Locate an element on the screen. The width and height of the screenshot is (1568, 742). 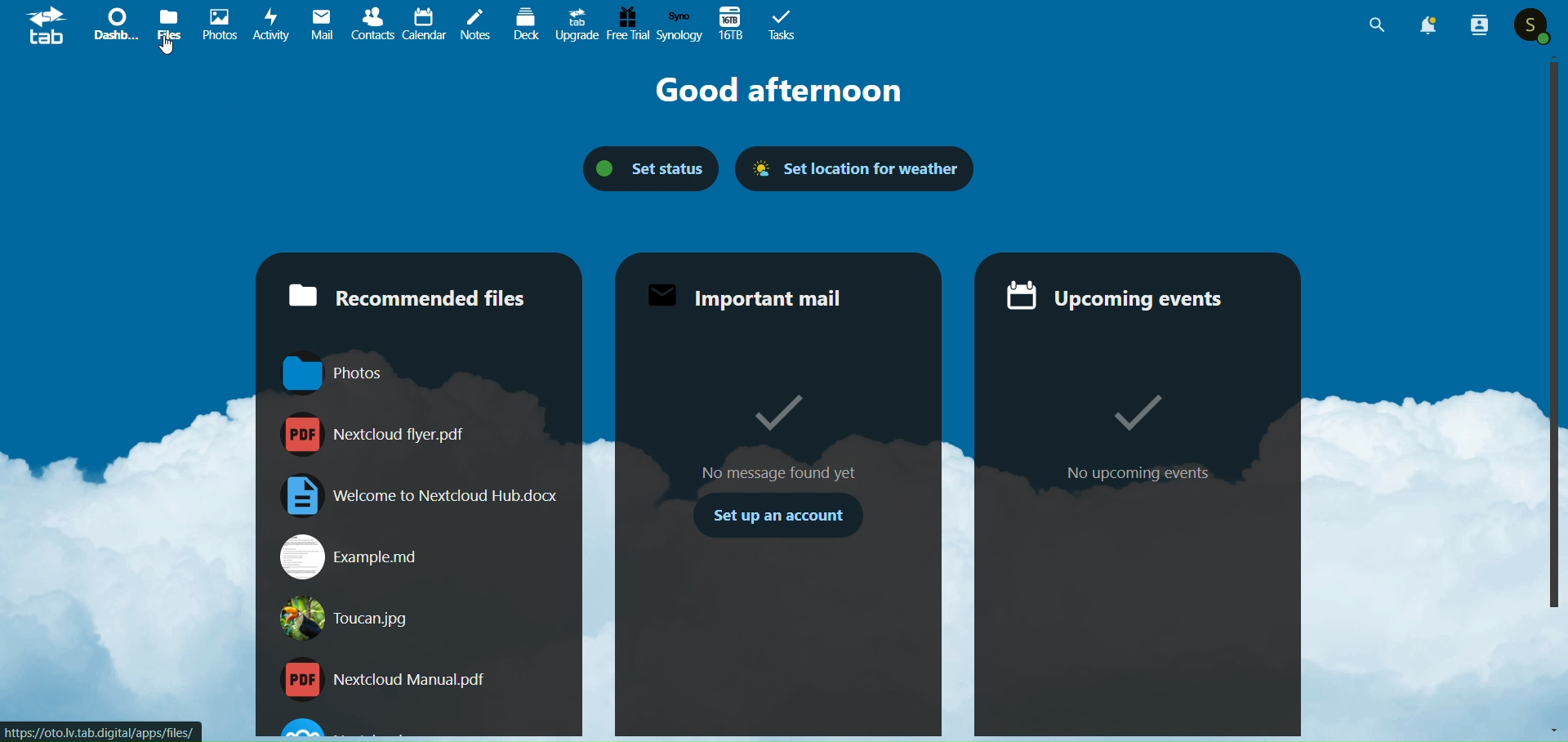
mail is located at coordinates (322, 25).